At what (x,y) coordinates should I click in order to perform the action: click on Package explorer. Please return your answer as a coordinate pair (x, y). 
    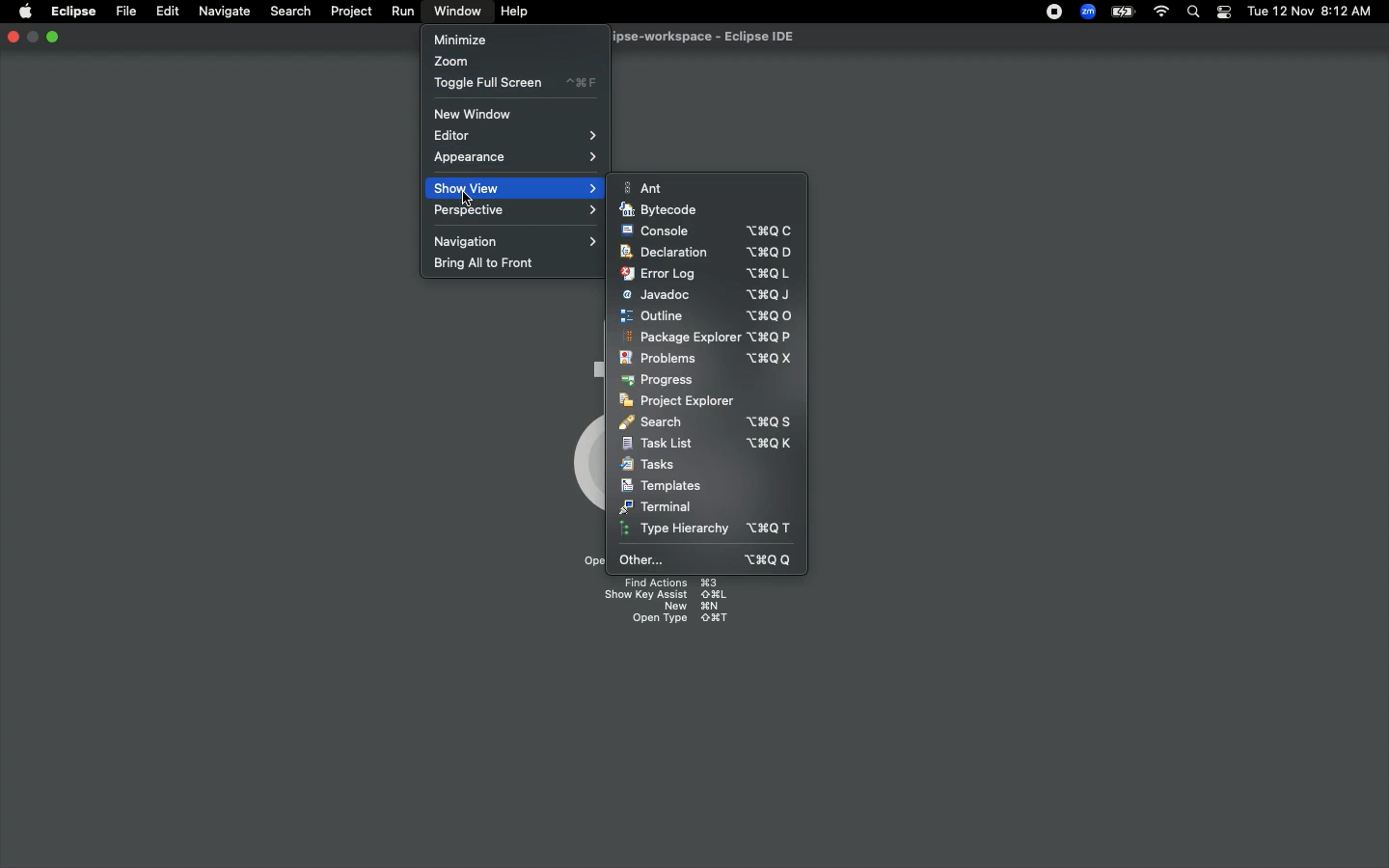
    Looking at the image, I should click on (702, 337).